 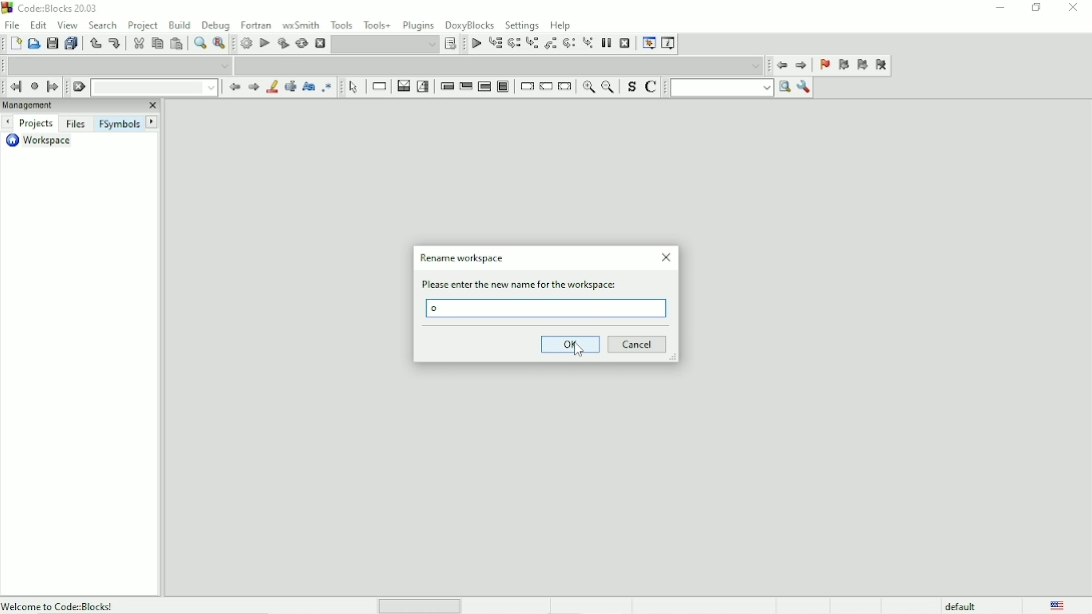 I want to click on DoxyBlocks, so click(x=470, y=23).